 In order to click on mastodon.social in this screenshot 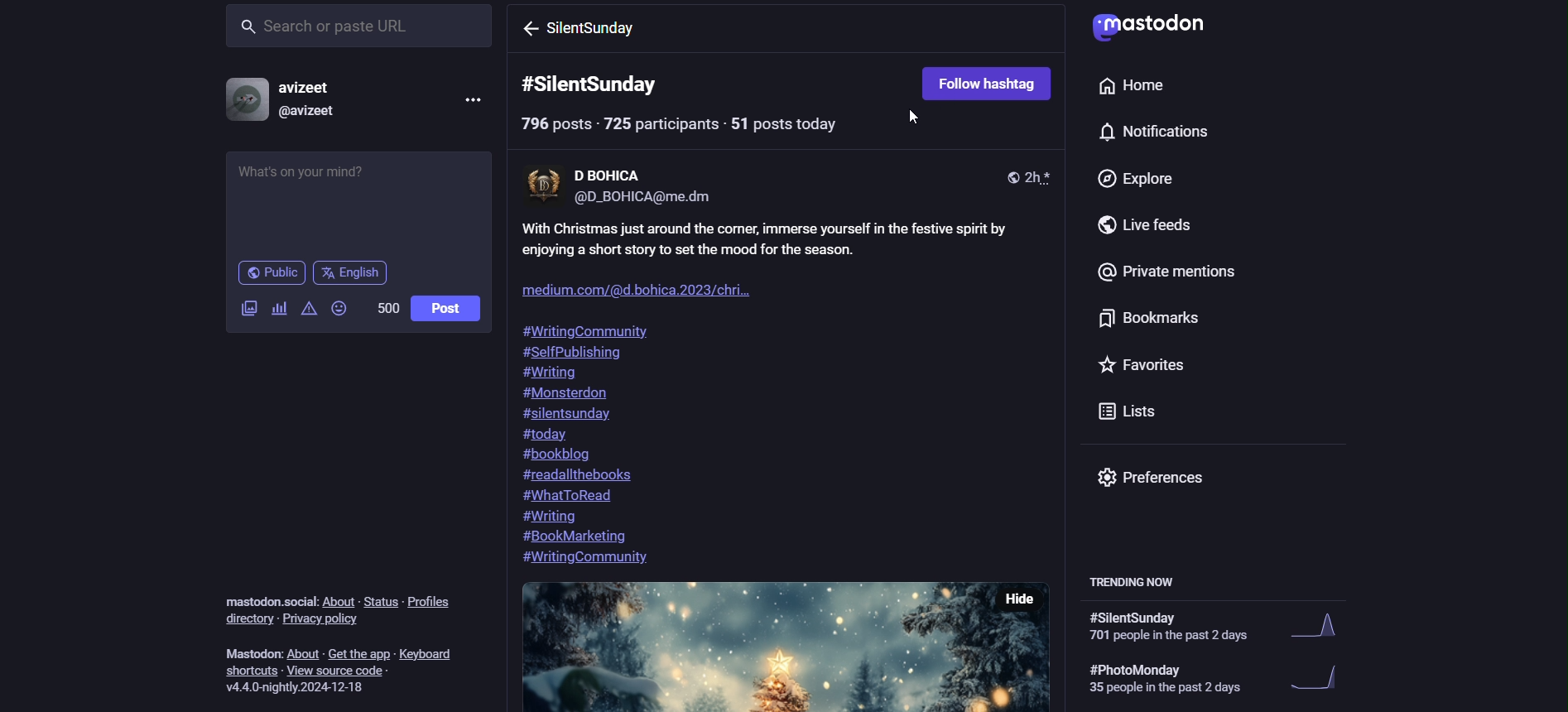, I will do `click(266, 599)`.